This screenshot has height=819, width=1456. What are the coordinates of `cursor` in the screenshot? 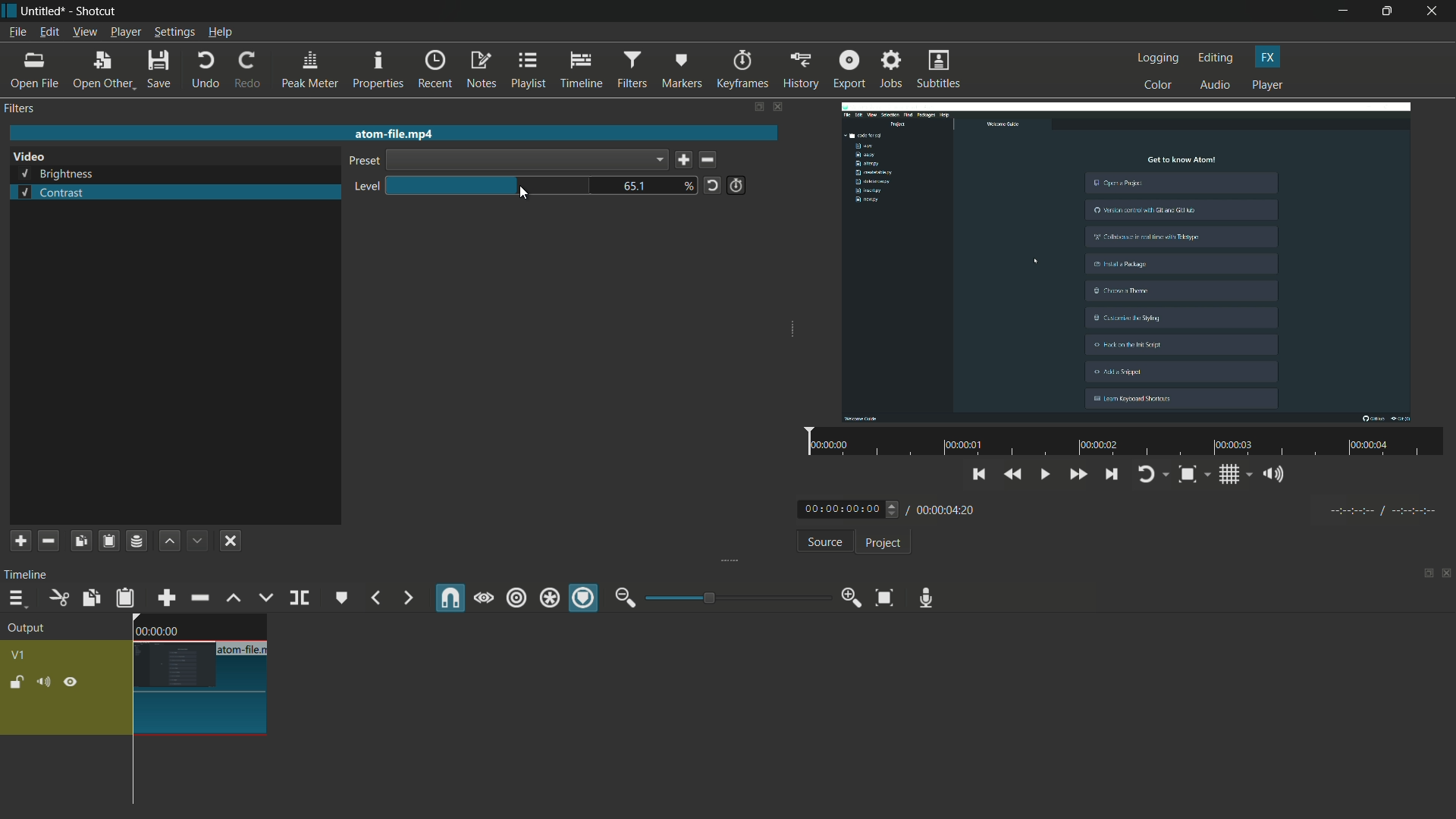 It's located at (522, 194).